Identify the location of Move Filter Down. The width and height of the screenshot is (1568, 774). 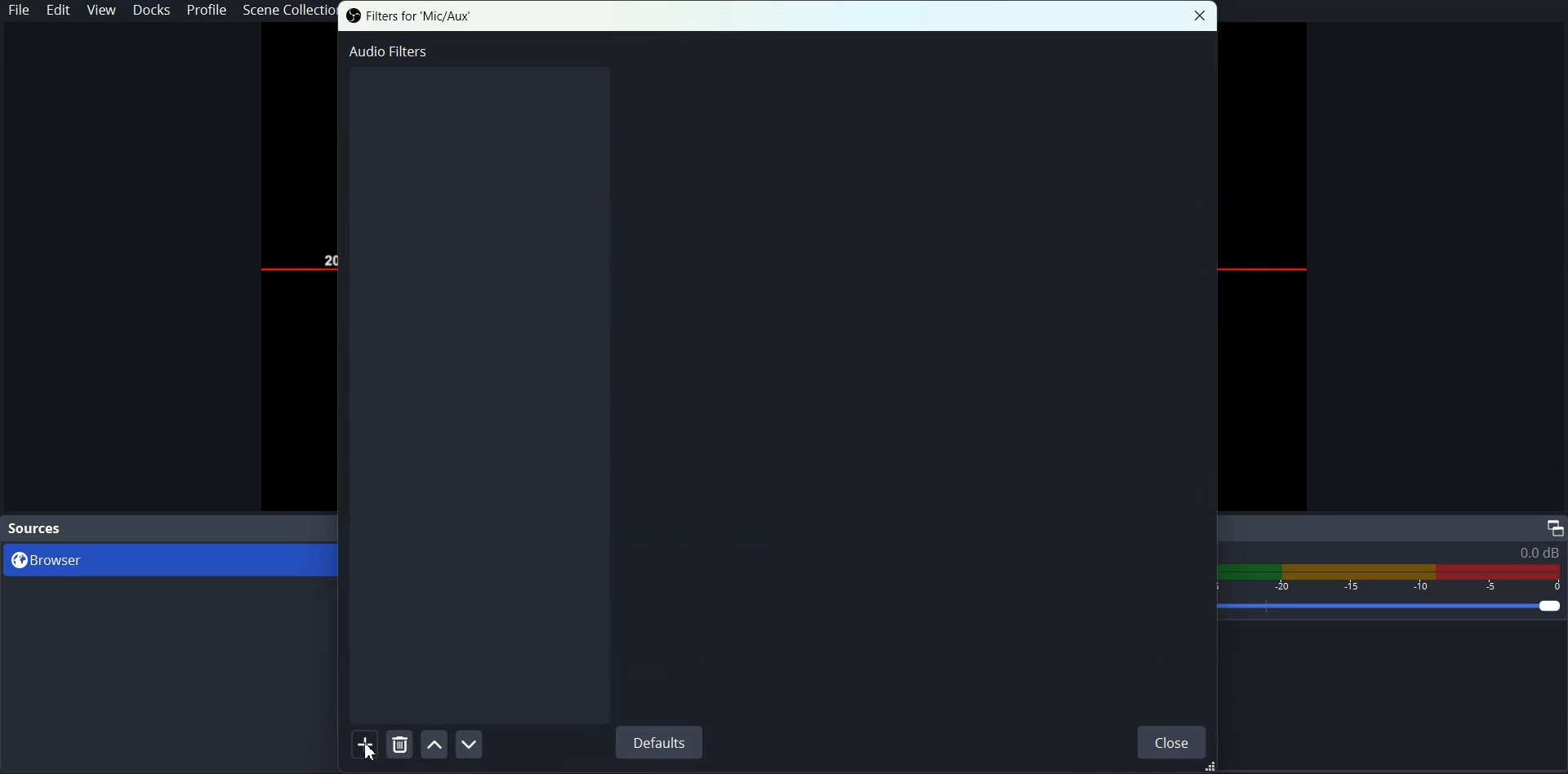
(469, 744).